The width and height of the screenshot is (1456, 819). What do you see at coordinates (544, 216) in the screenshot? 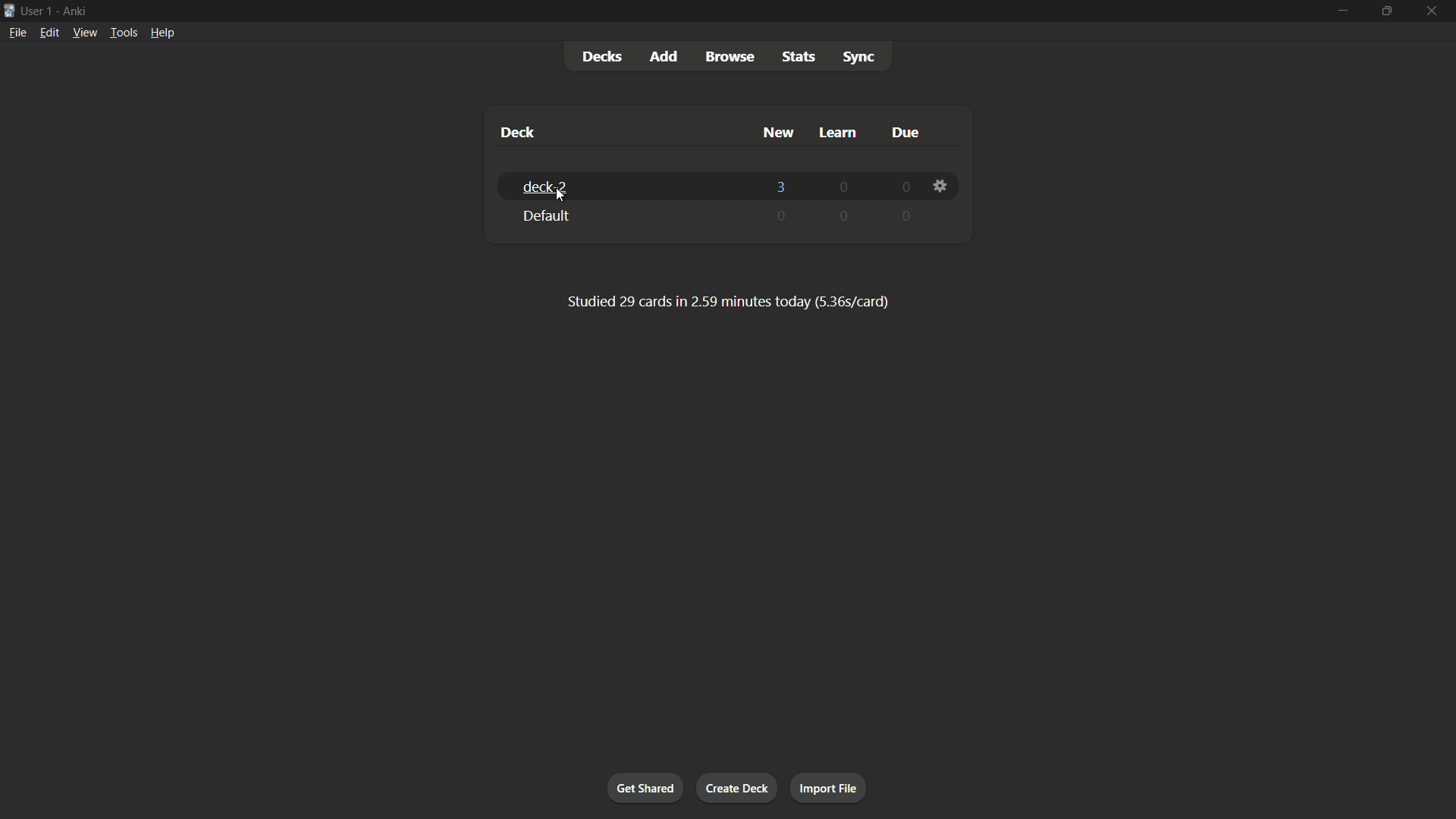
I see `default` at bounding box center [544, 216].